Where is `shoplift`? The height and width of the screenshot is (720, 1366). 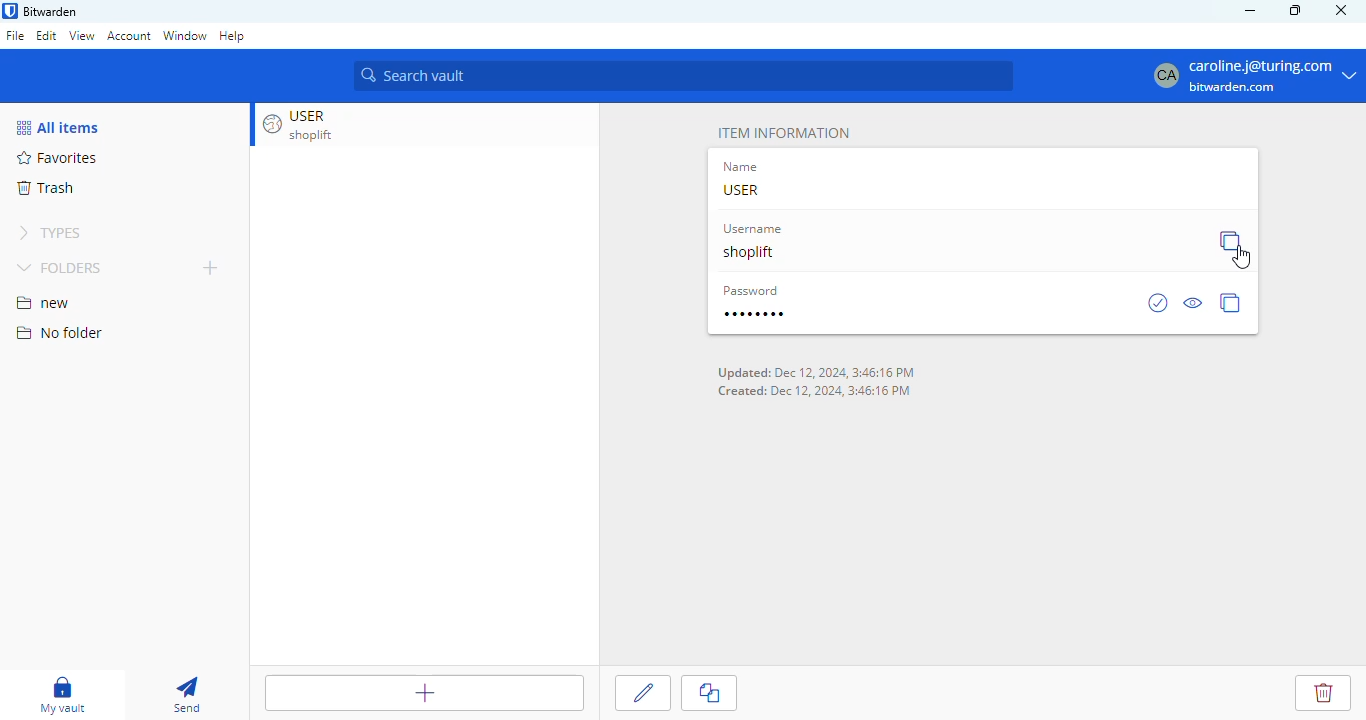
shoplift is located at coordinates (750, 253).